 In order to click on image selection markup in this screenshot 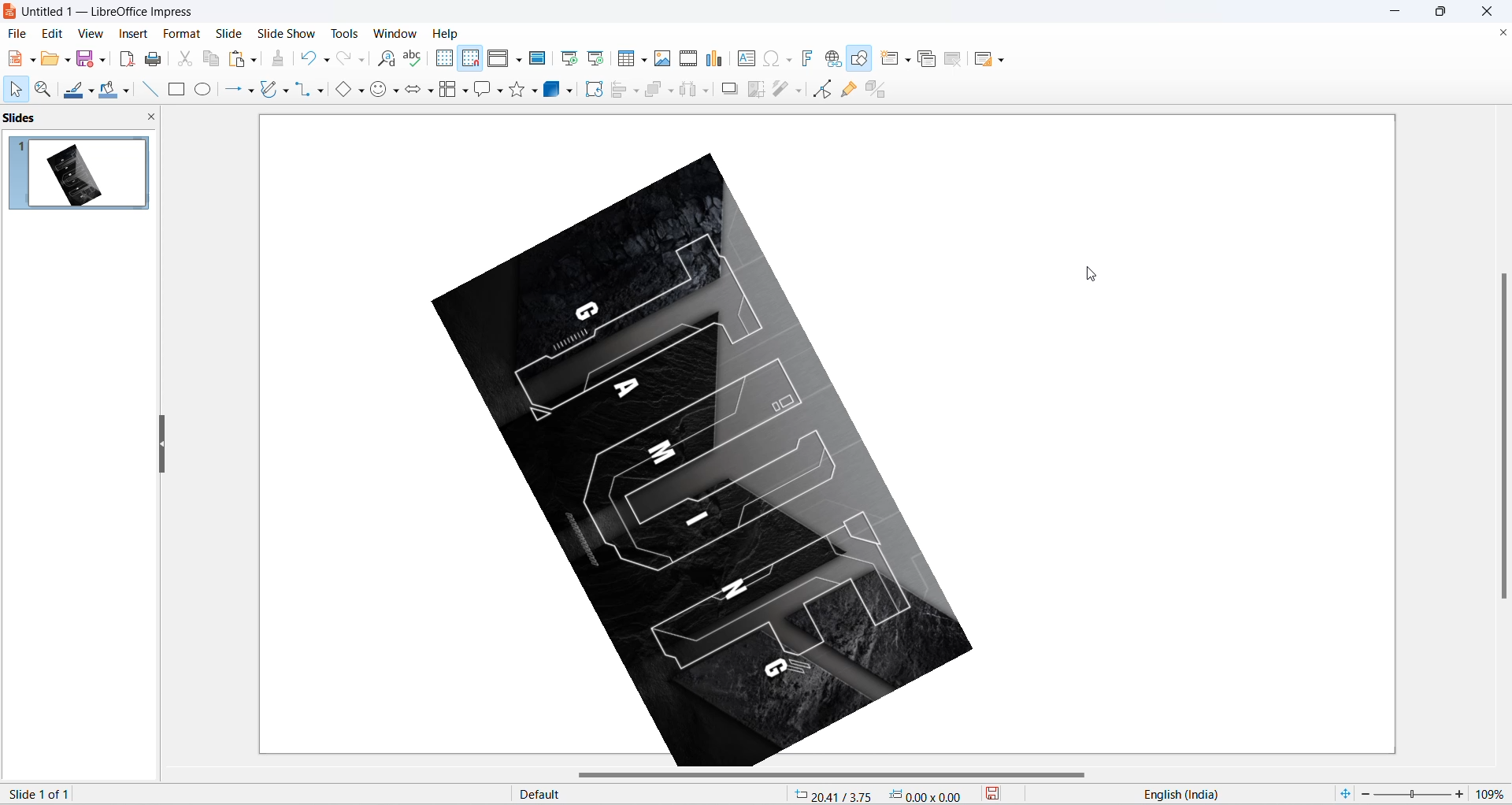, I will do `click(974, 473)`.